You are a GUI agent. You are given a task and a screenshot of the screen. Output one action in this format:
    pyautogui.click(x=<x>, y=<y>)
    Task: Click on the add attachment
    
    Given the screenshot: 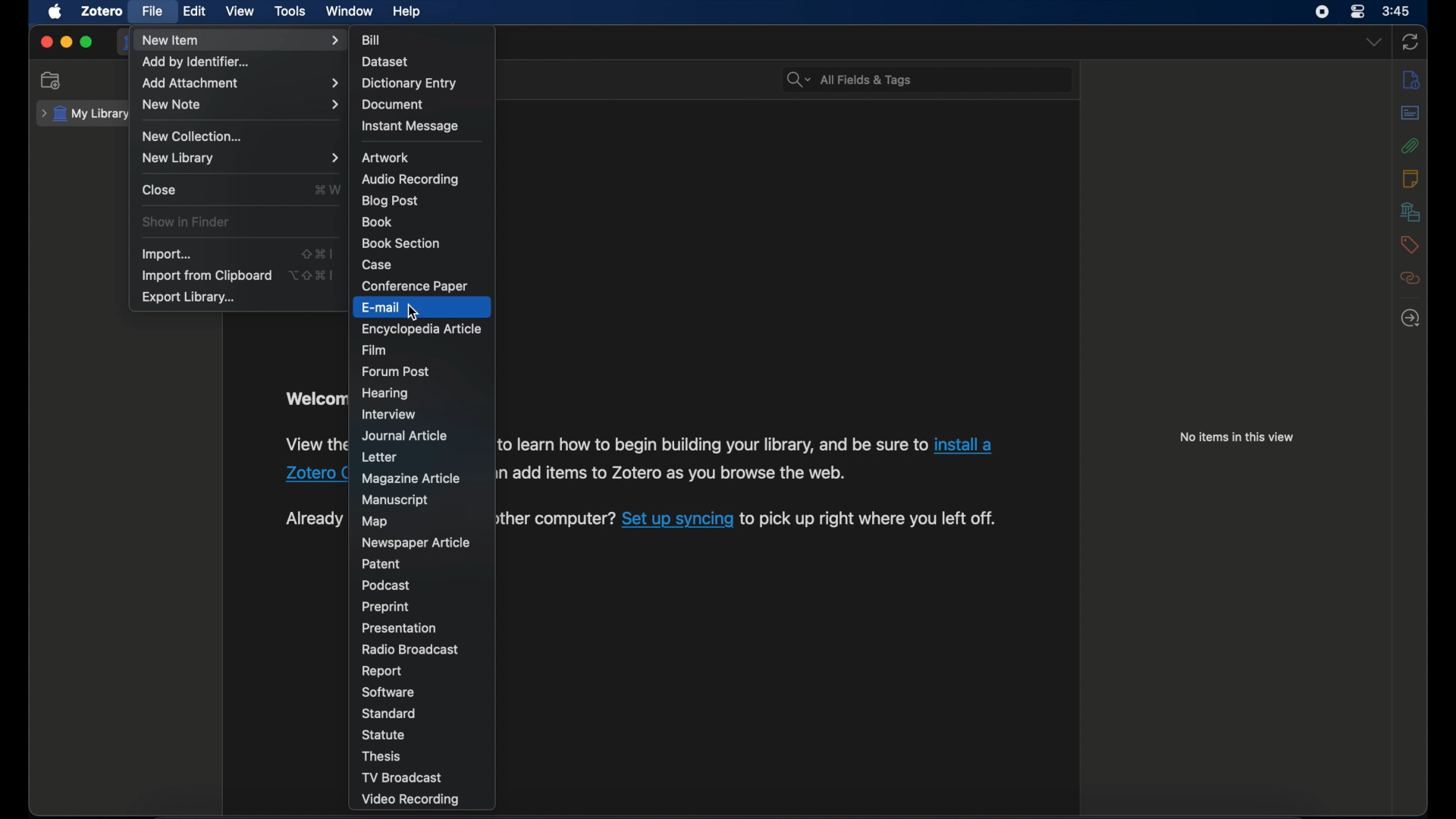 What is the action you would take?
    pyautogui.click(x=240, y=83)
    